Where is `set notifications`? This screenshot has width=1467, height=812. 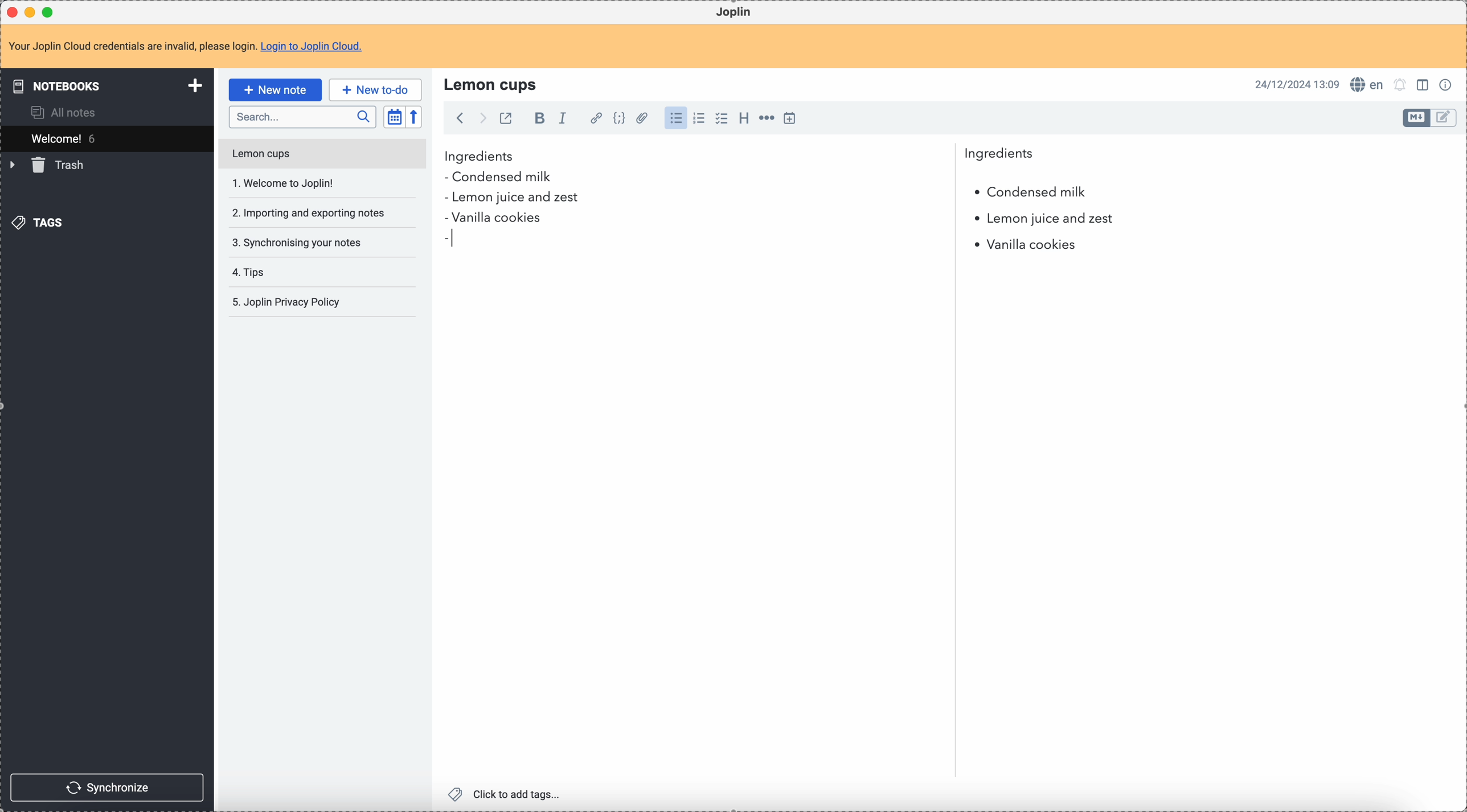
set notifications is located at coordinates (1400, 84).